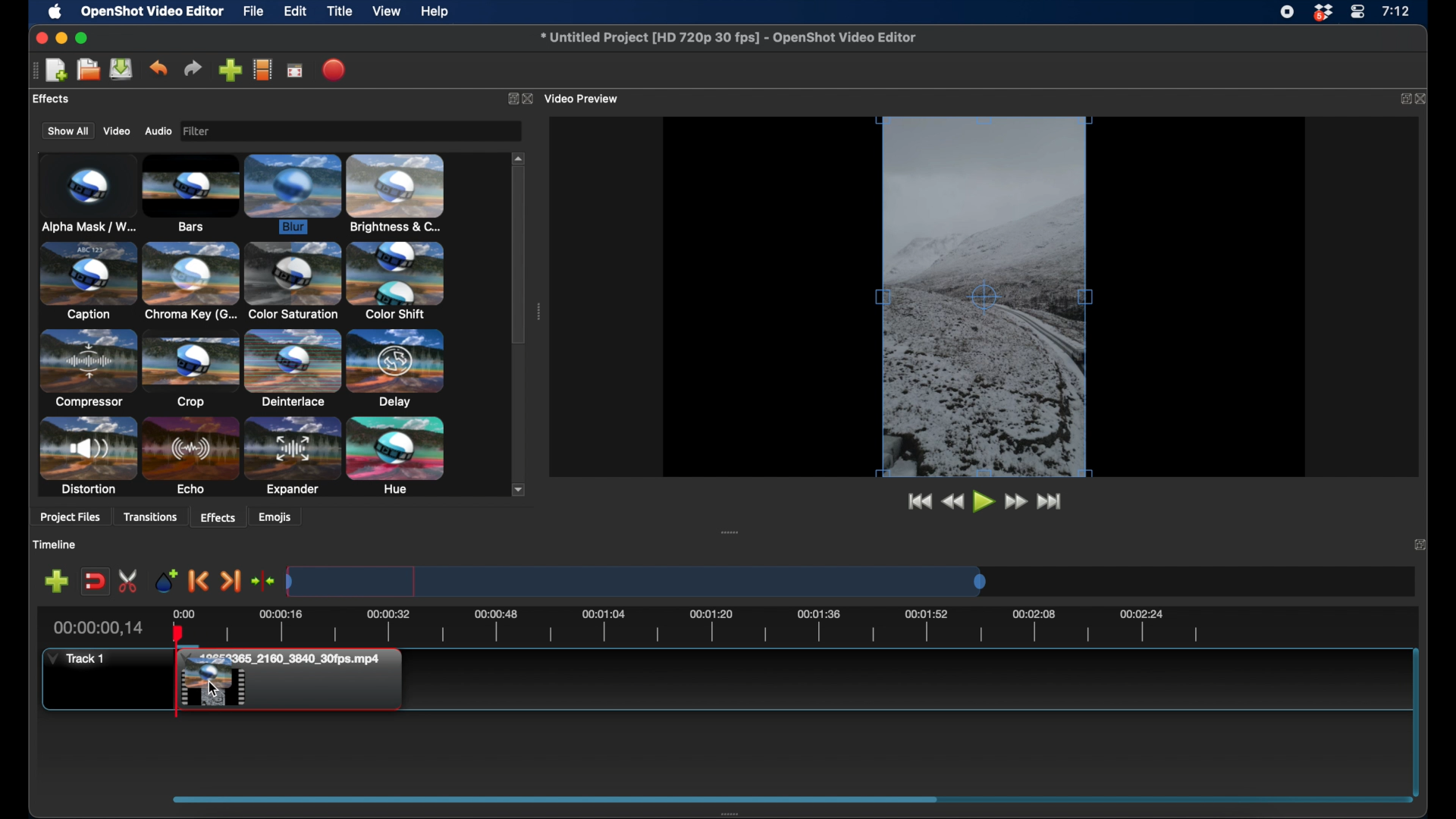  I want to click on video preview, so click(586, 98).